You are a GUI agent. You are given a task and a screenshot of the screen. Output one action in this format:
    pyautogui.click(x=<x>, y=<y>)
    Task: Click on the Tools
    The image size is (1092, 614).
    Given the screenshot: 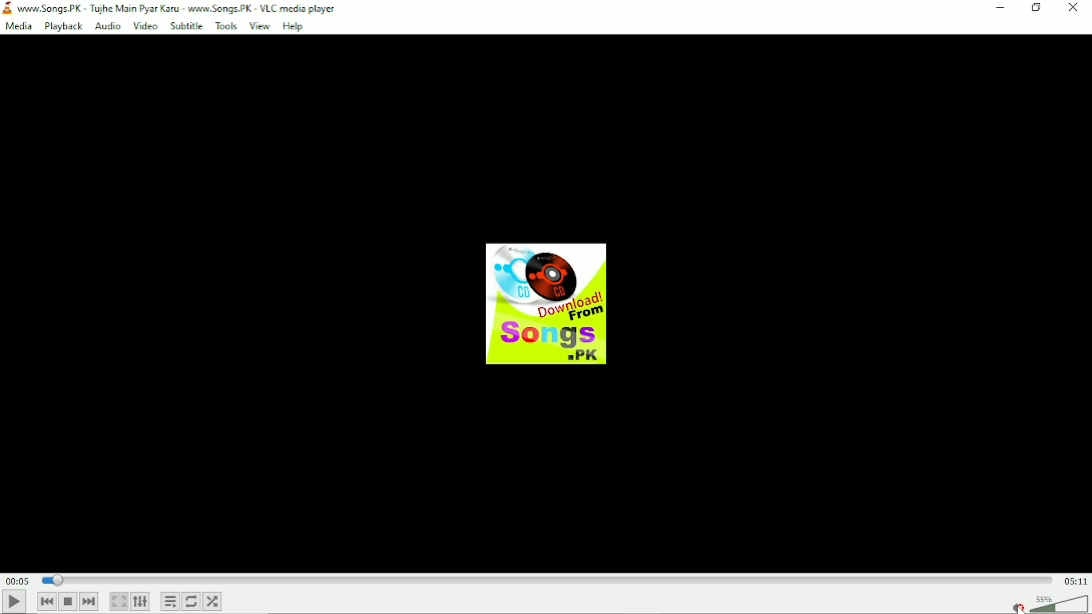 What is the action you would take?
    pyautogui.click(x=225, y=26)
    